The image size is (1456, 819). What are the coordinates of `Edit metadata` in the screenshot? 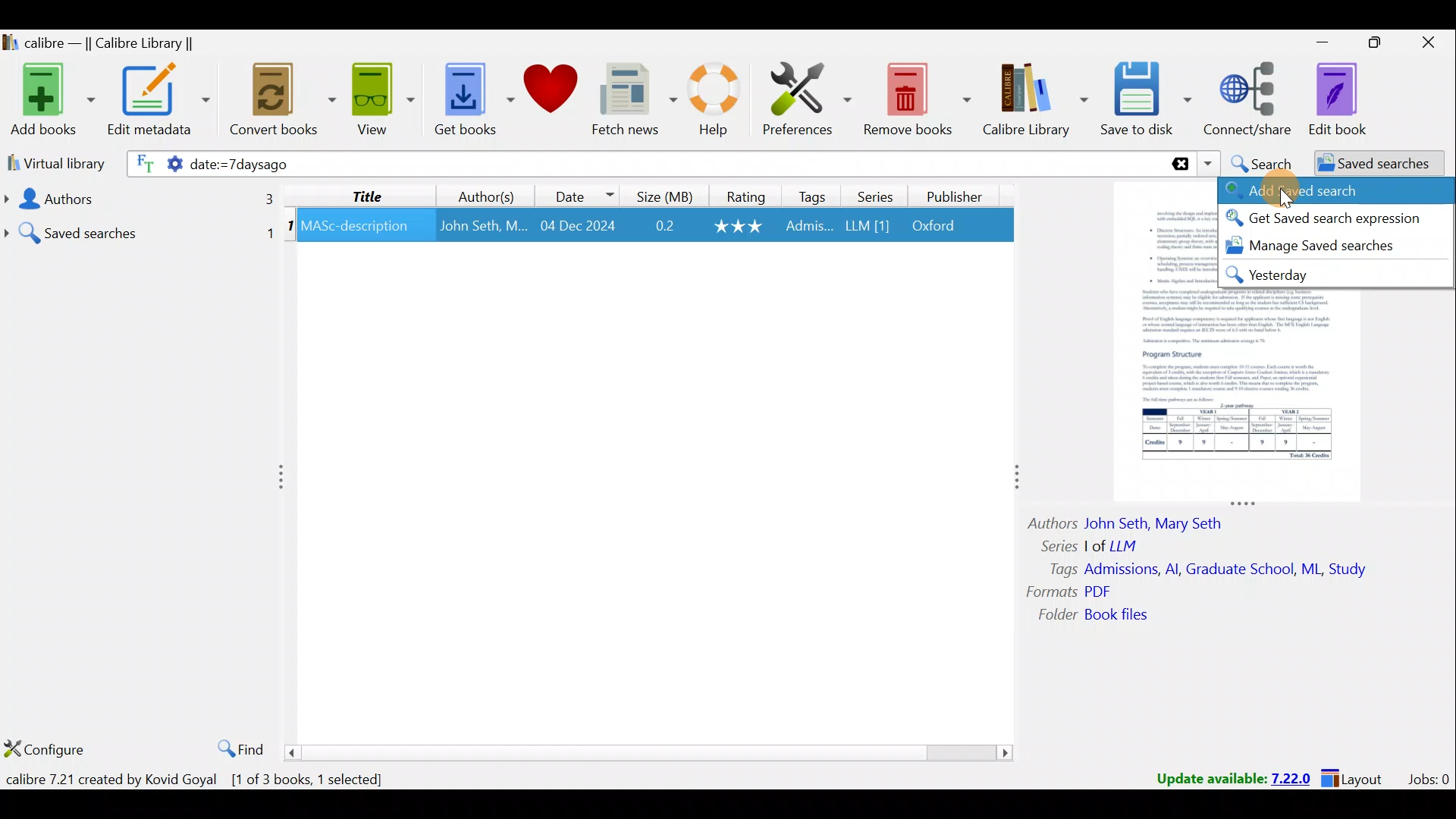 It's located at (162, 102).